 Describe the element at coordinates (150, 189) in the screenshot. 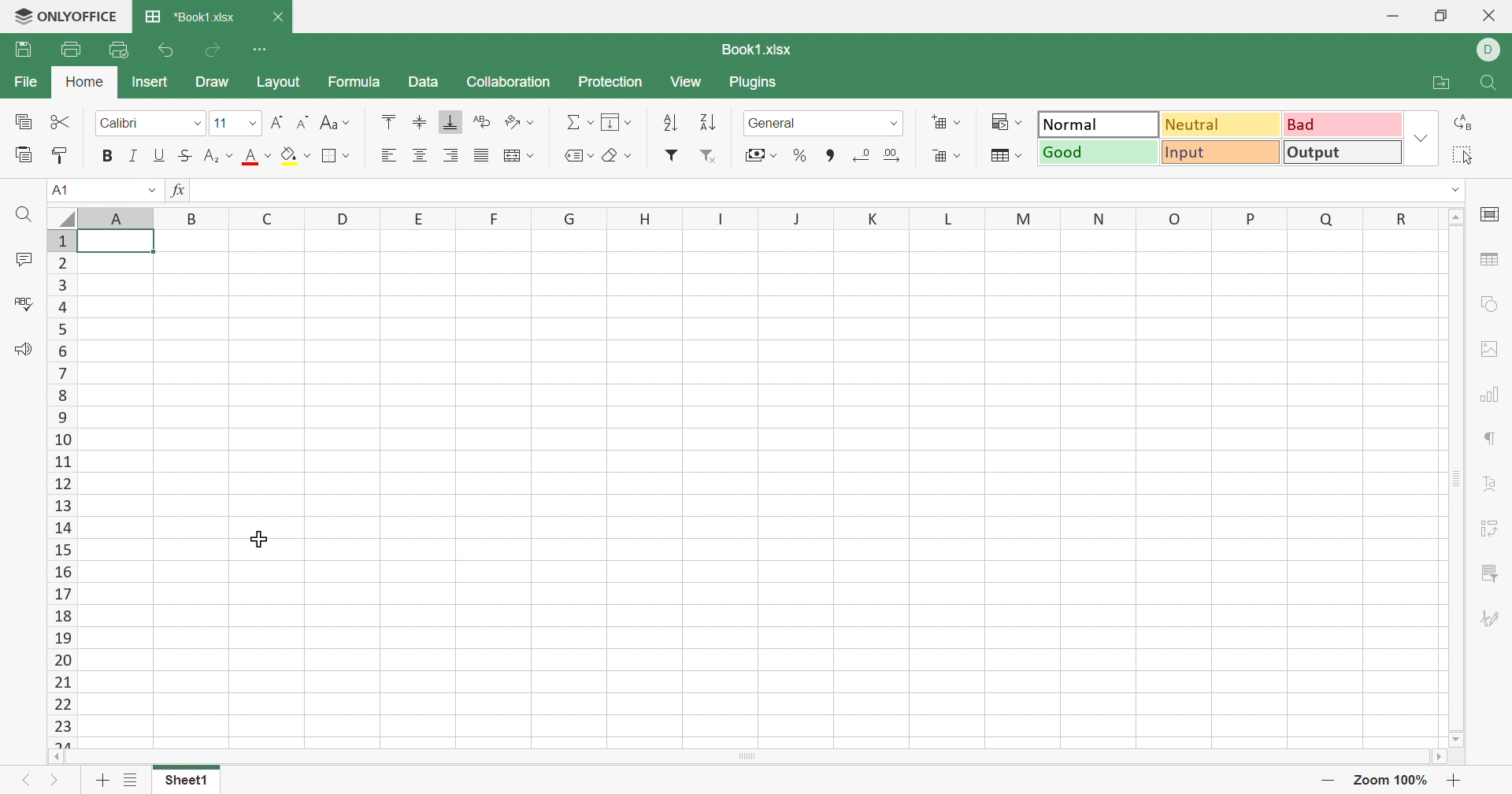

I see `Drop Down` at that location.